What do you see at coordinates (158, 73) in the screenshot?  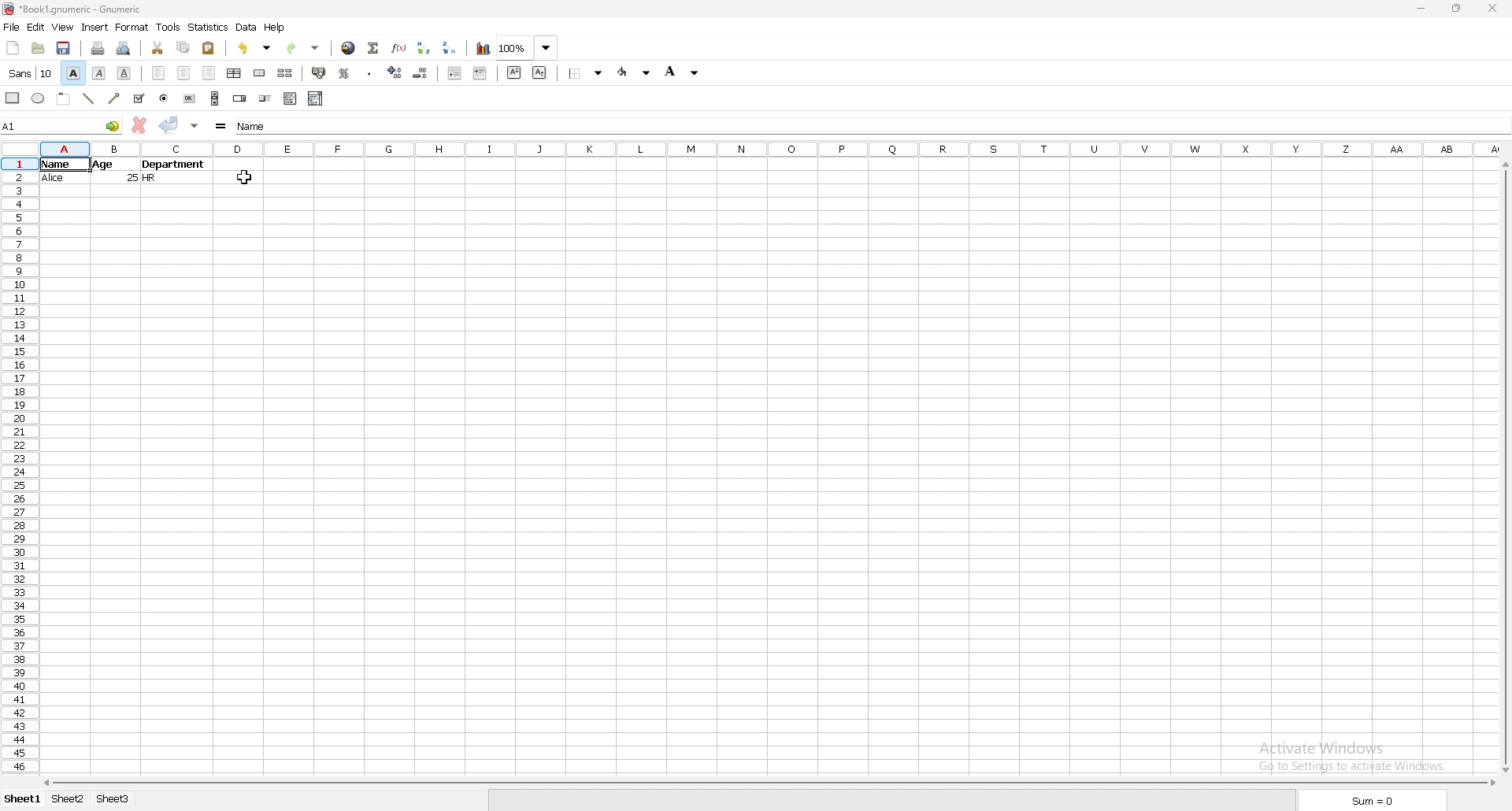 I see `left align` at bounding box center [158, 73].